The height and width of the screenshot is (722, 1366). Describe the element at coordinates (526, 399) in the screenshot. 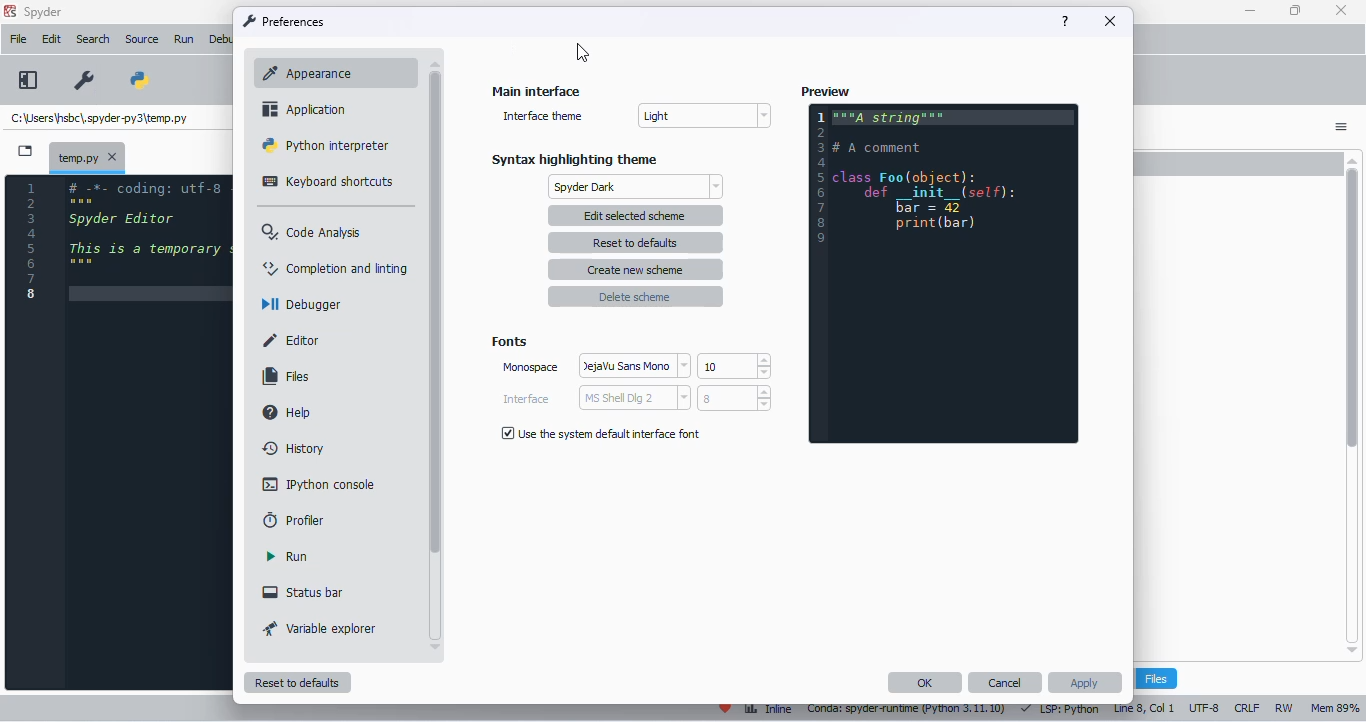

I see `interface` at that location.